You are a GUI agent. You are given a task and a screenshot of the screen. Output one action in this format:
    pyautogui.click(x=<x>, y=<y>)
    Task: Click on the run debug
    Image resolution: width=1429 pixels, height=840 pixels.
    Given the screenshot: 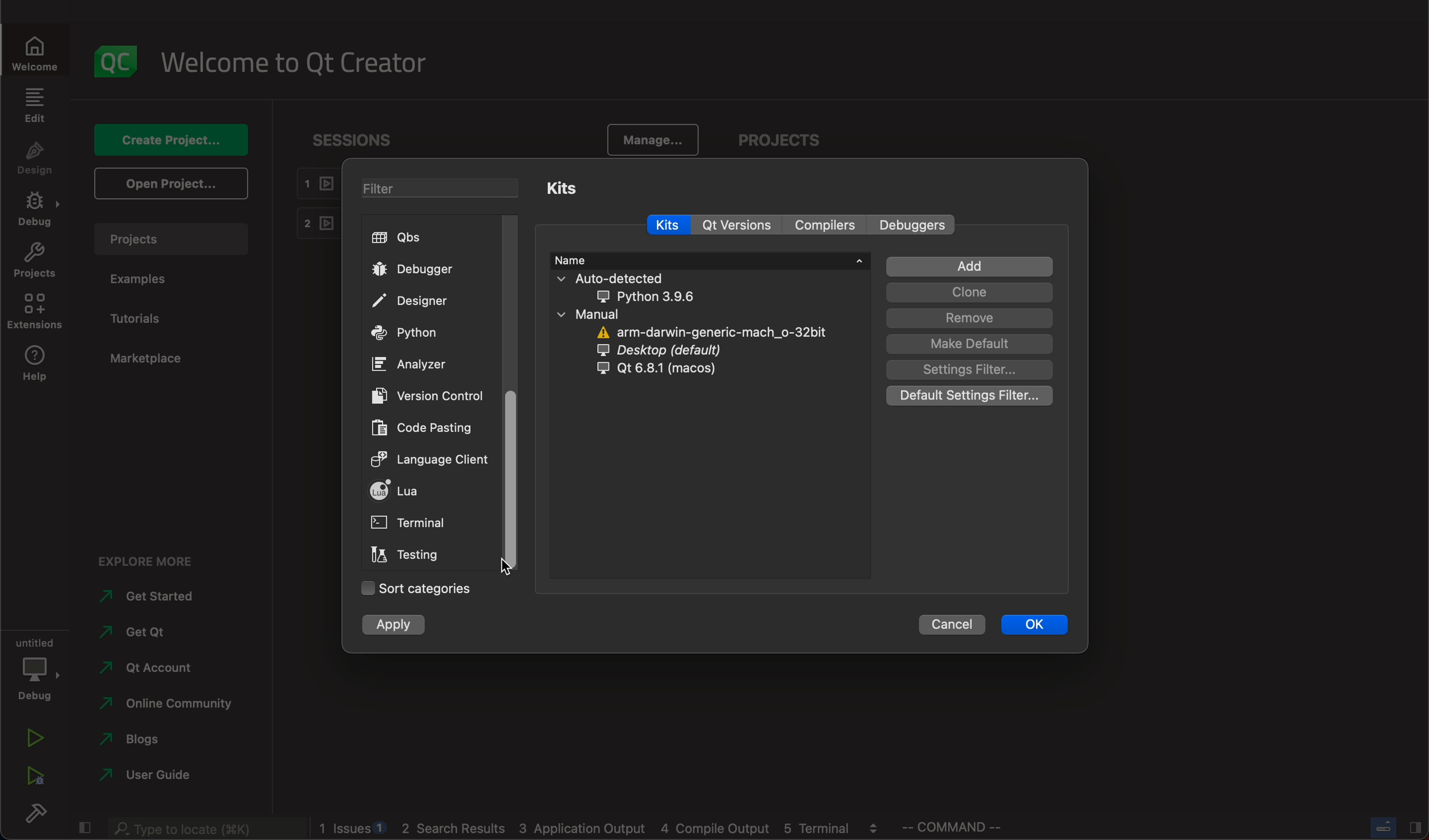 What is the action you would take?
    pyautogui.click(x=32, y=779)
    